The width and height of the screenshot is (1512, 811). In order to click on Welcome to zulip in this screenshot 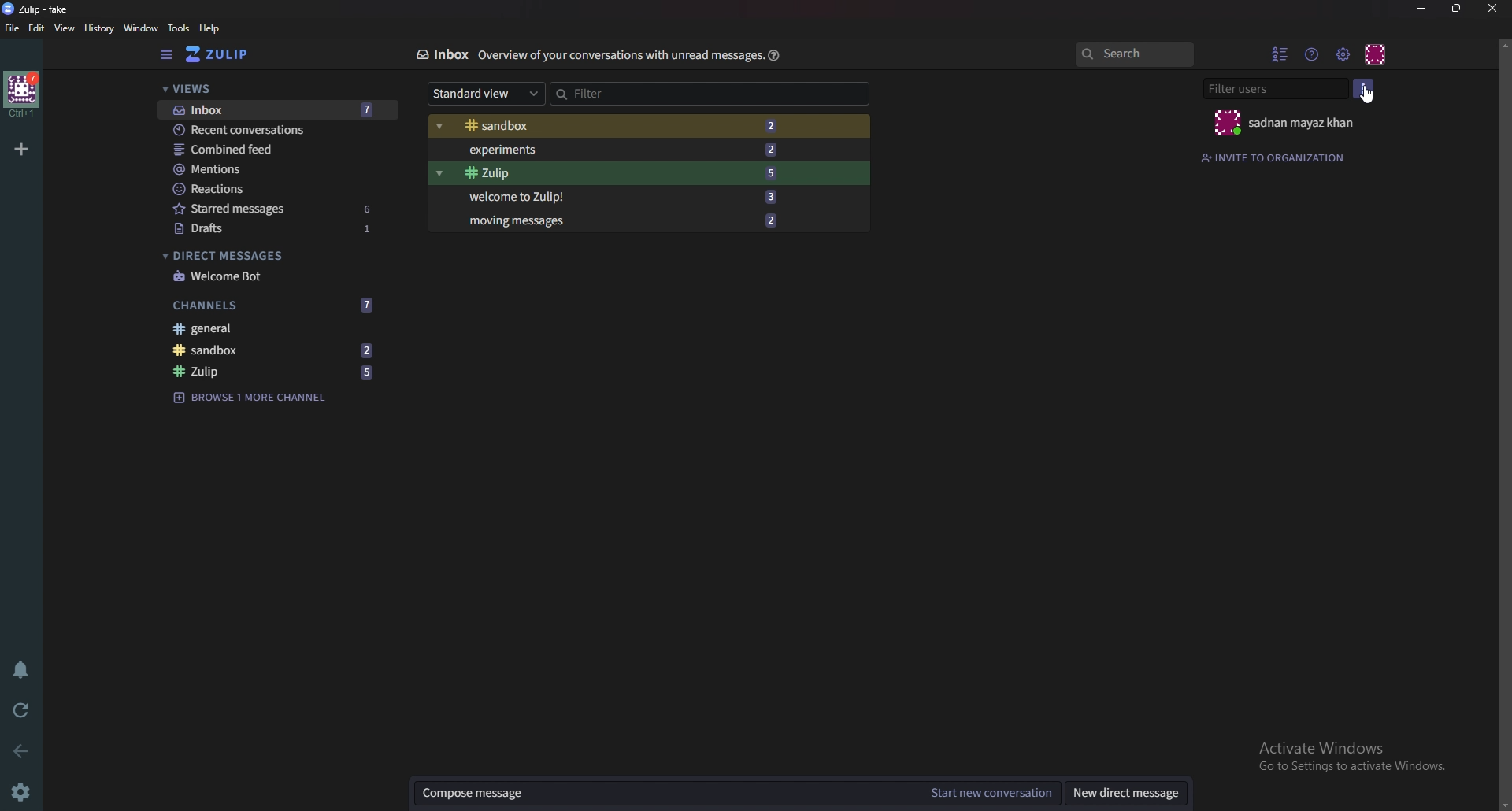, I will do `click(624, 198)`.